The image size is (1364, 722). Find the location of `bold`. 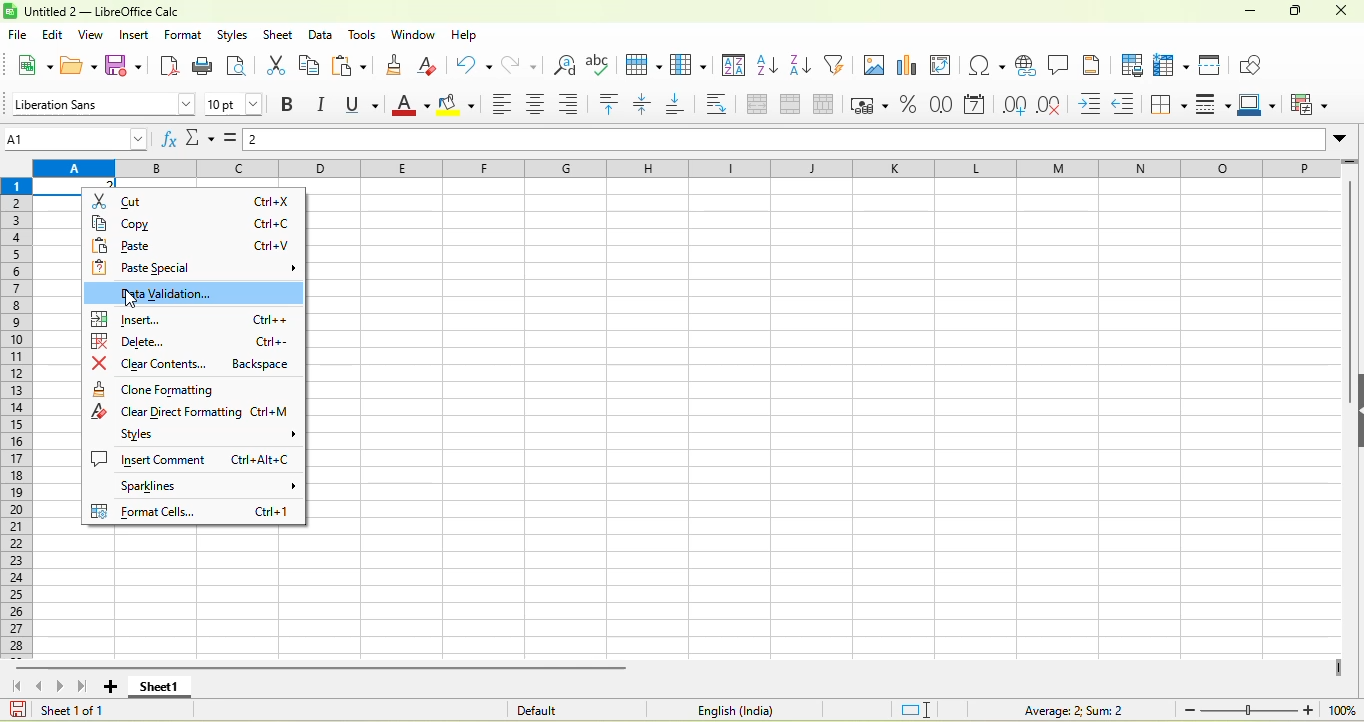

bold is located at coordinates (289, 106).